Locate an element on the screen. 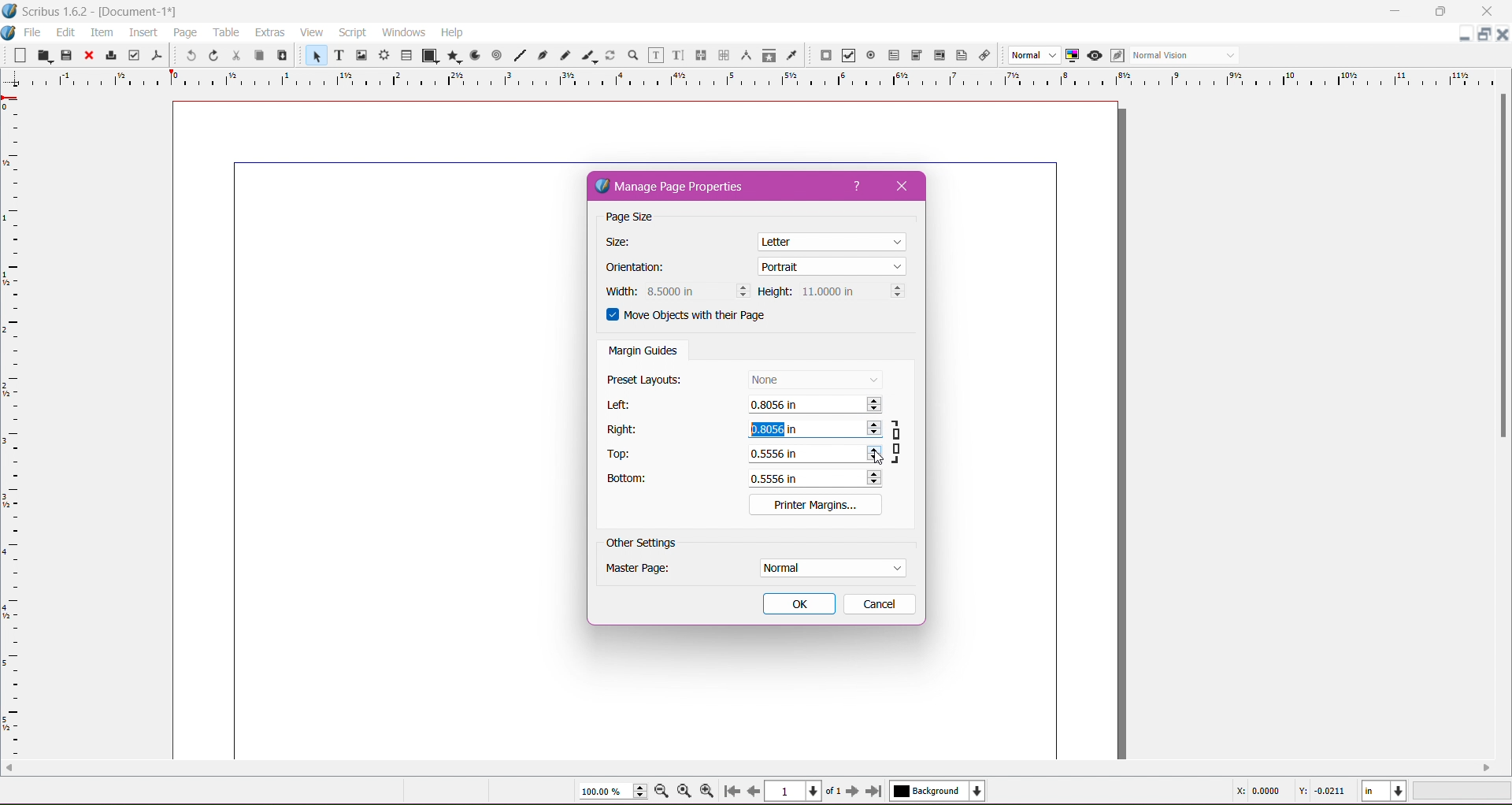  Cut is located at coordinates (235, 56).